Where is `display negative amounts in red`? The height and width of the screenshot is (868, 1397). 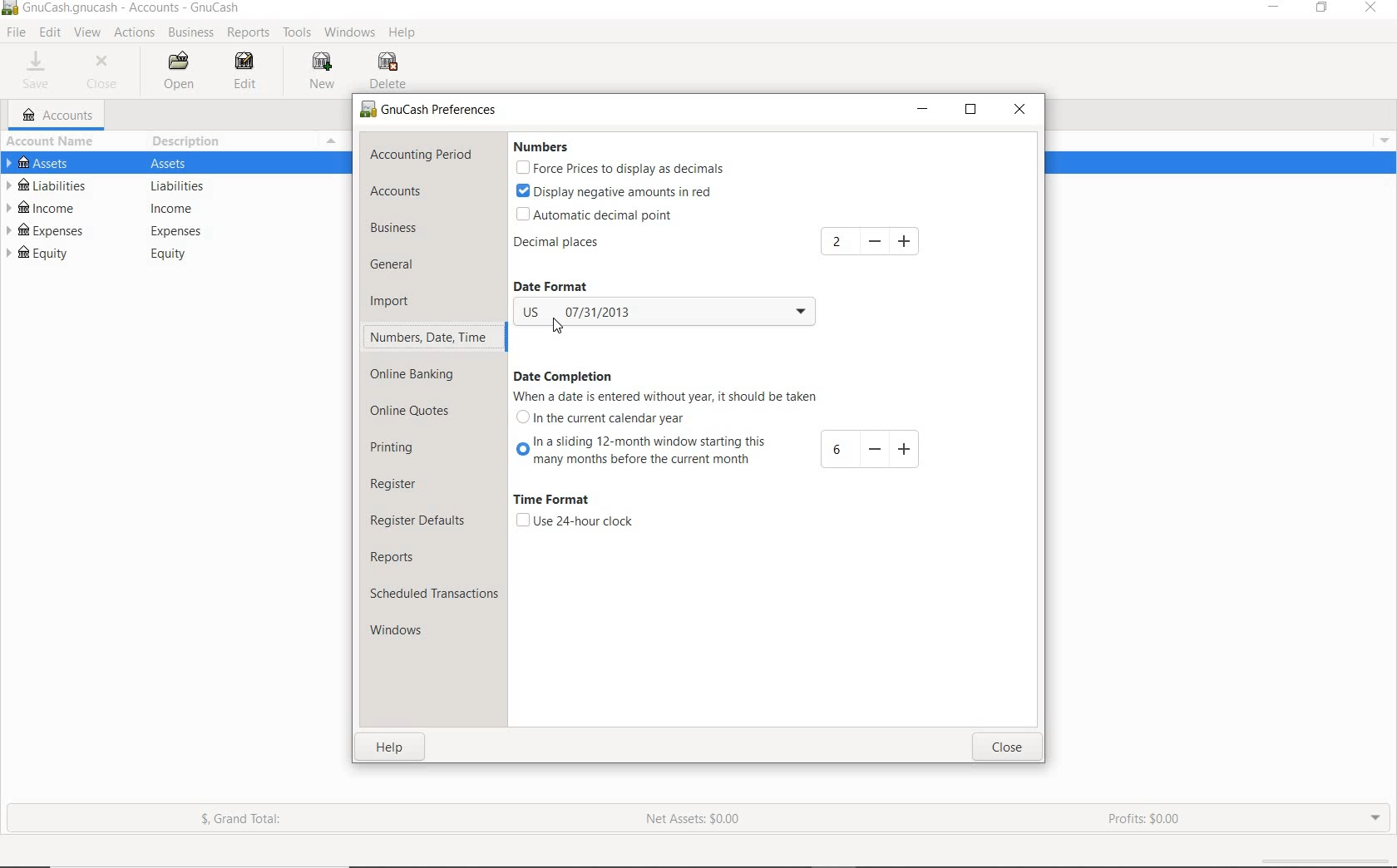 display negative amounts in red is located at coordinates (616, 190).